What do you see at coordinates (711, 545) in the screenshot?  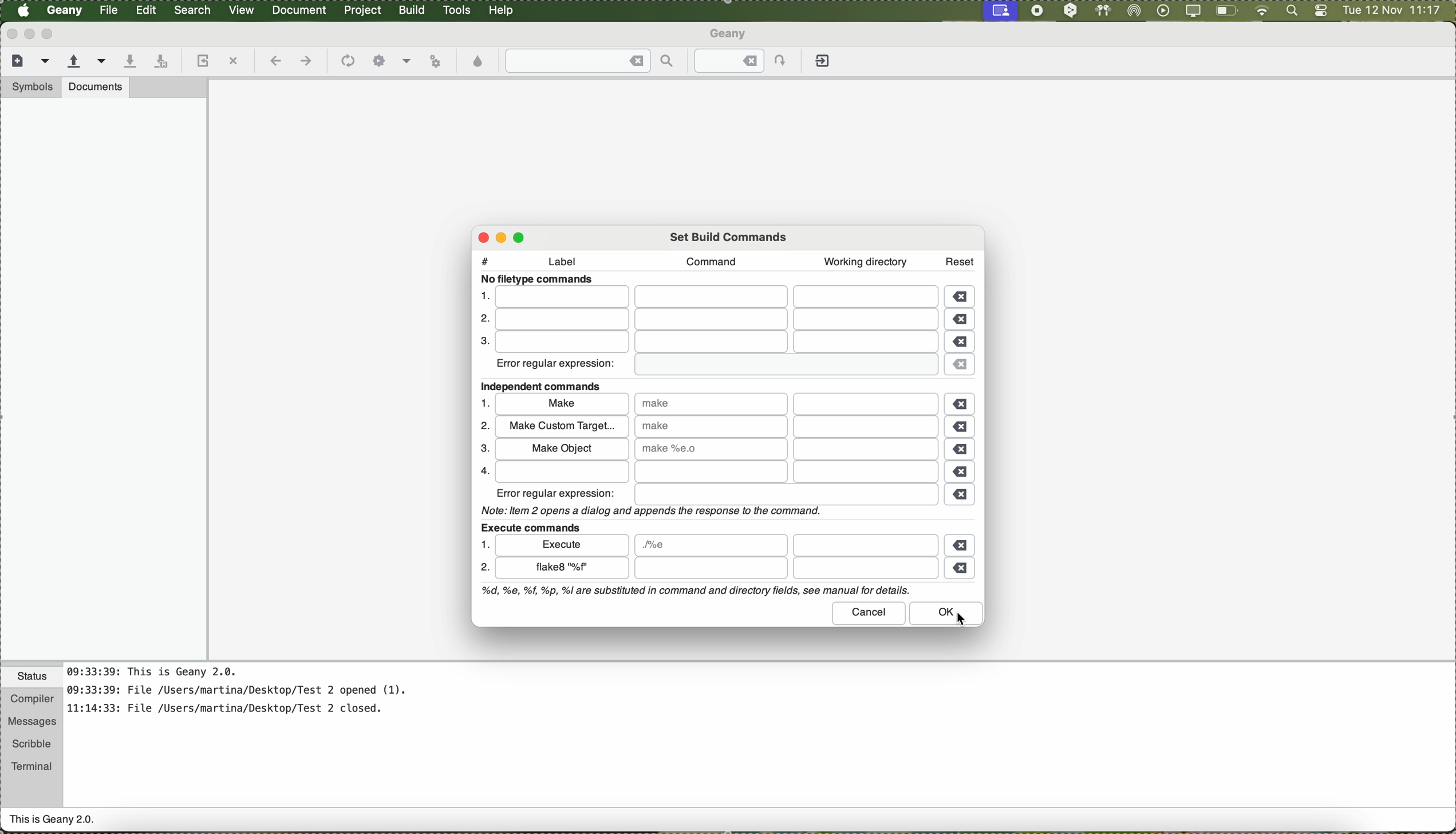 I see `file` at bounding box center [711, 545].